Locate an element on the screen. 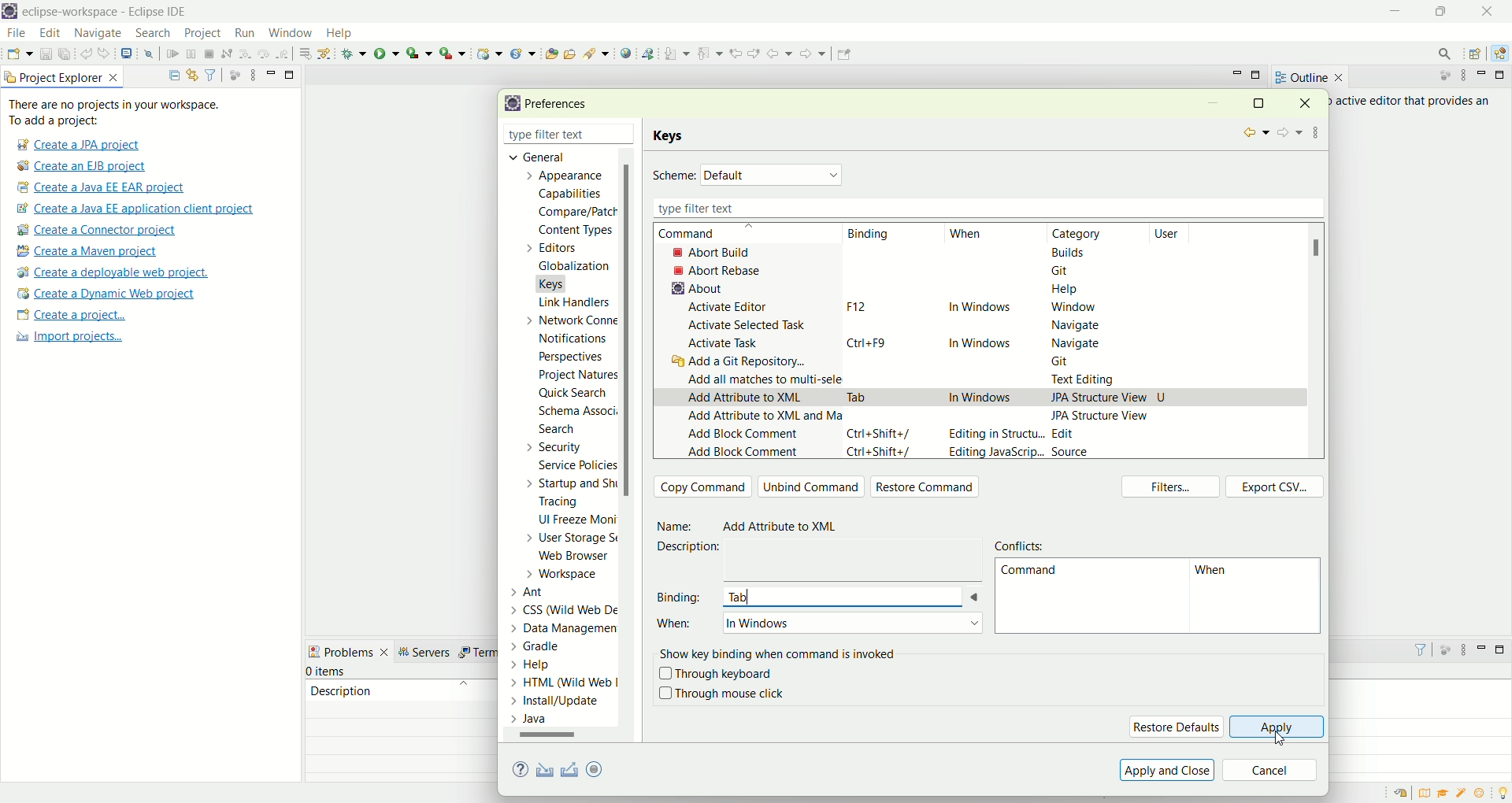 This screenshot has height=803, width=1512. In Windows is located at coordinates (851, 624).